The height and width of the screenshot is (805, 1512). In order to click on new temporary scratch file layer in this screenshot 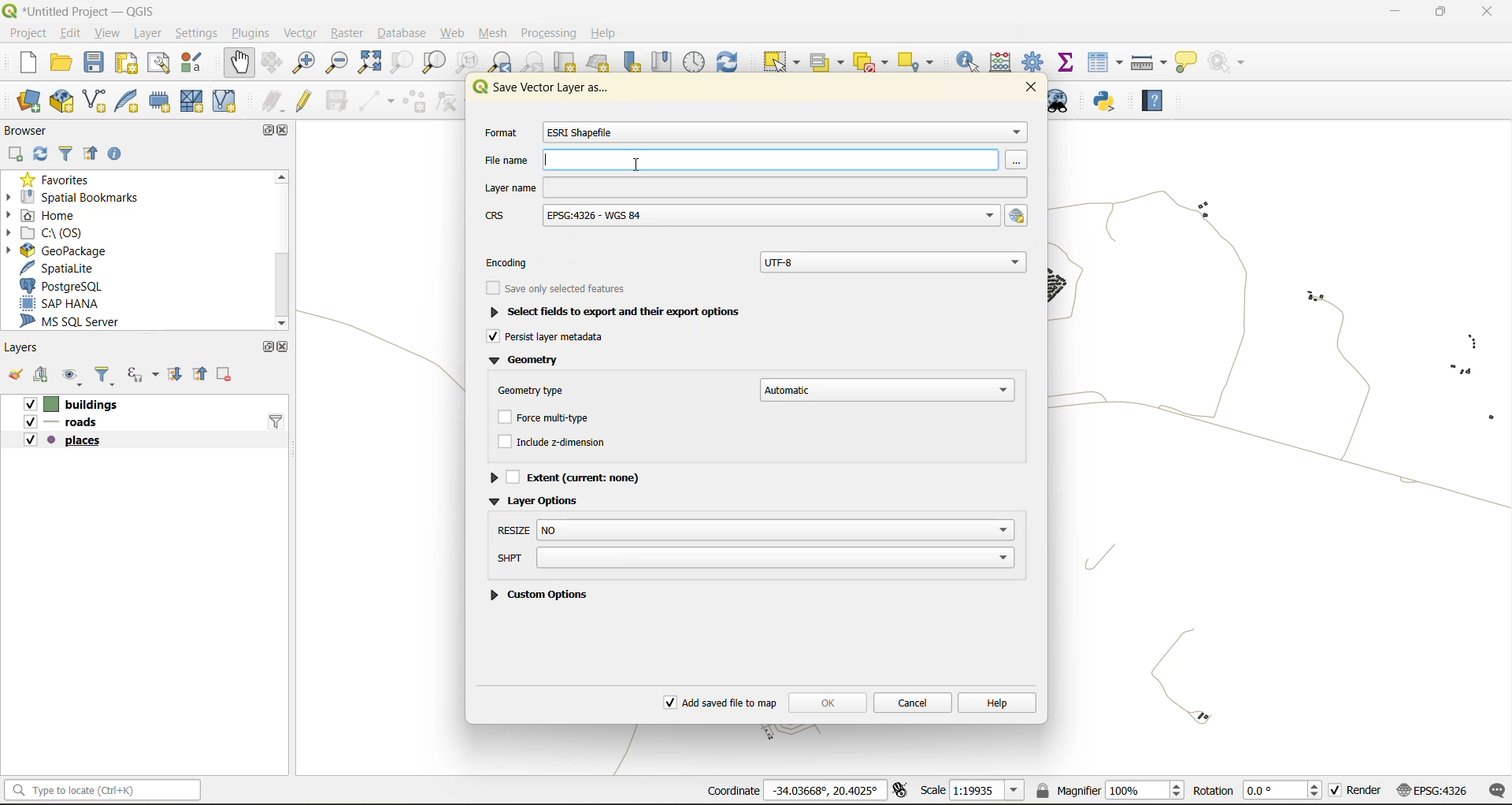, I will do `click(159, 101)`.